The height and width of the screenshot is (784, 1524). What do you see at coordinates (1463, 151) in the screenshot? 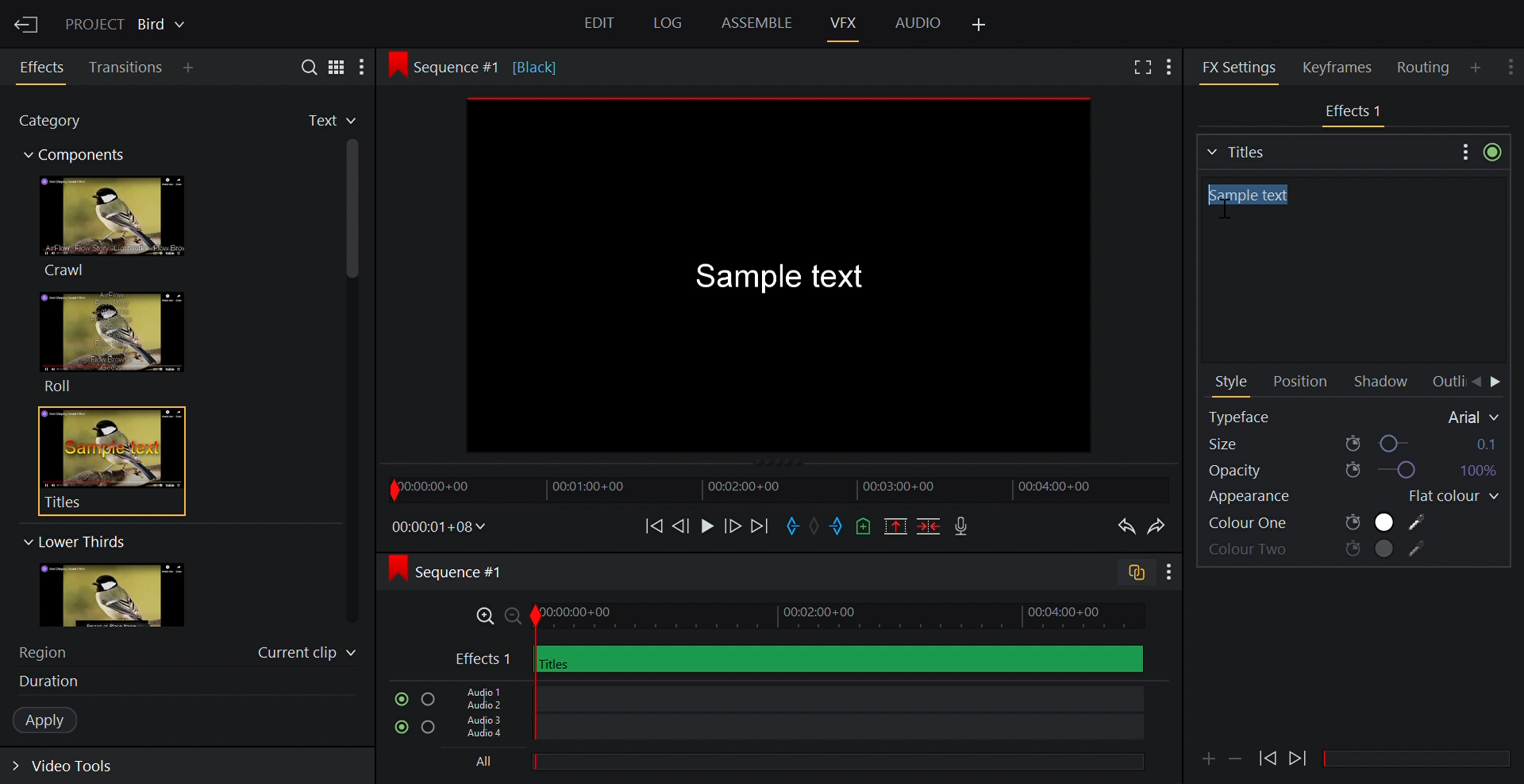
I see `Show settings menu` at bounding box center [1463, 151].